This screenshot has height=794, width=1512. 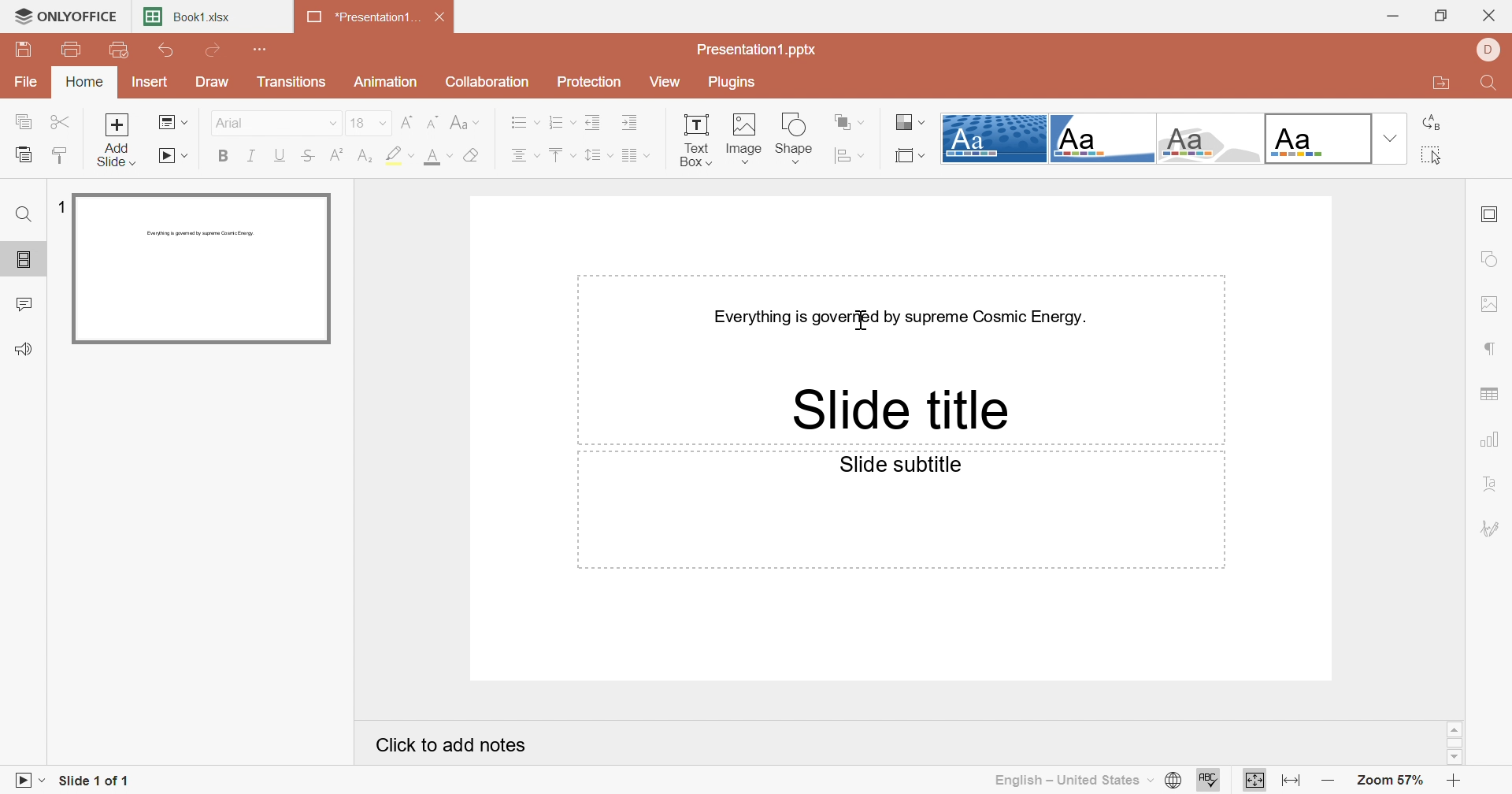 What do you see at coordinates (1318, 139) in the screenshot?
I see `Official` at bounding box center [1318, 139].